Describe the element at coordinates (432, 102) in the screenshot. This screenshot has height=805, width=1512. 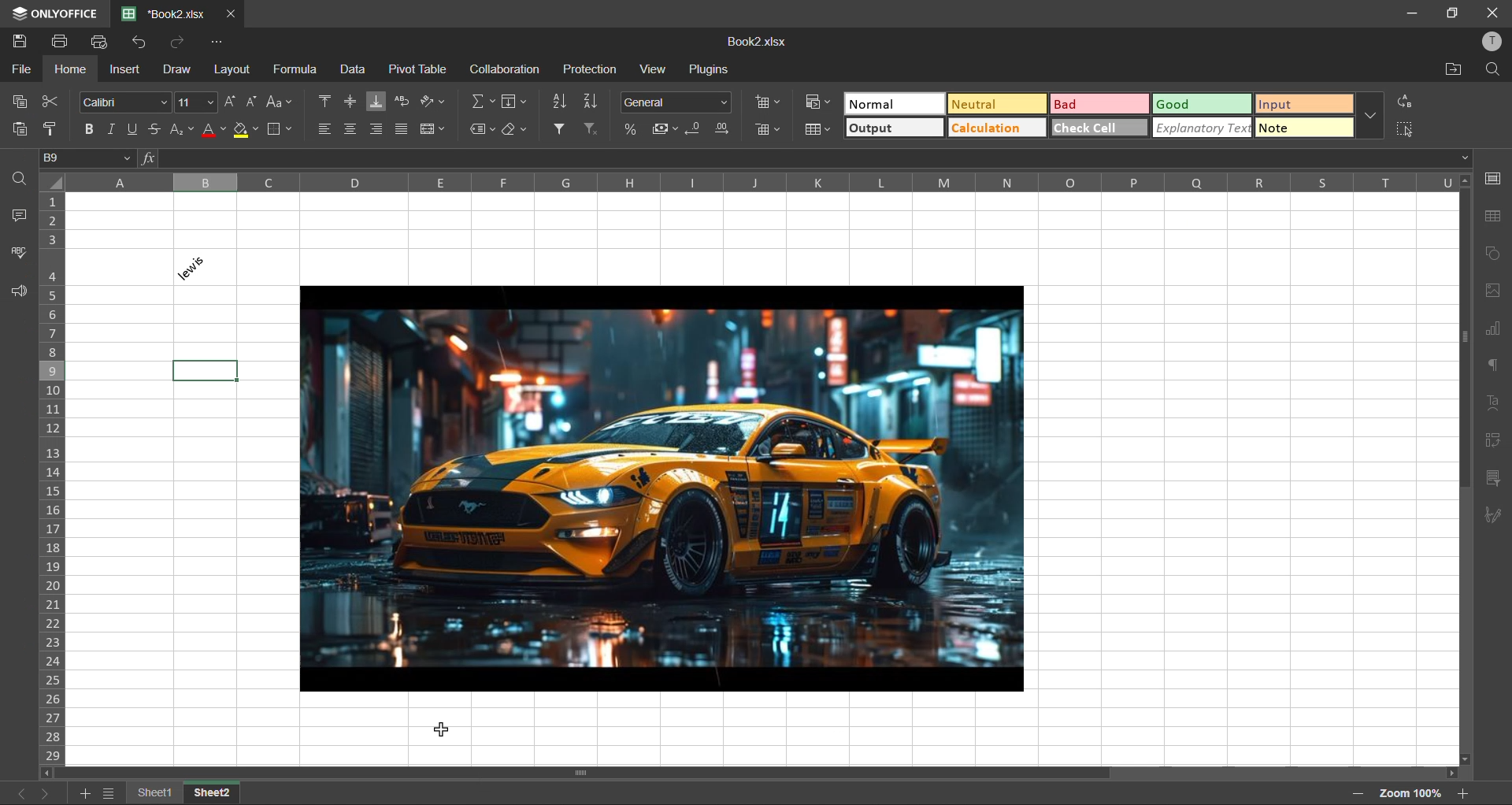
I see `orientation` at that location.